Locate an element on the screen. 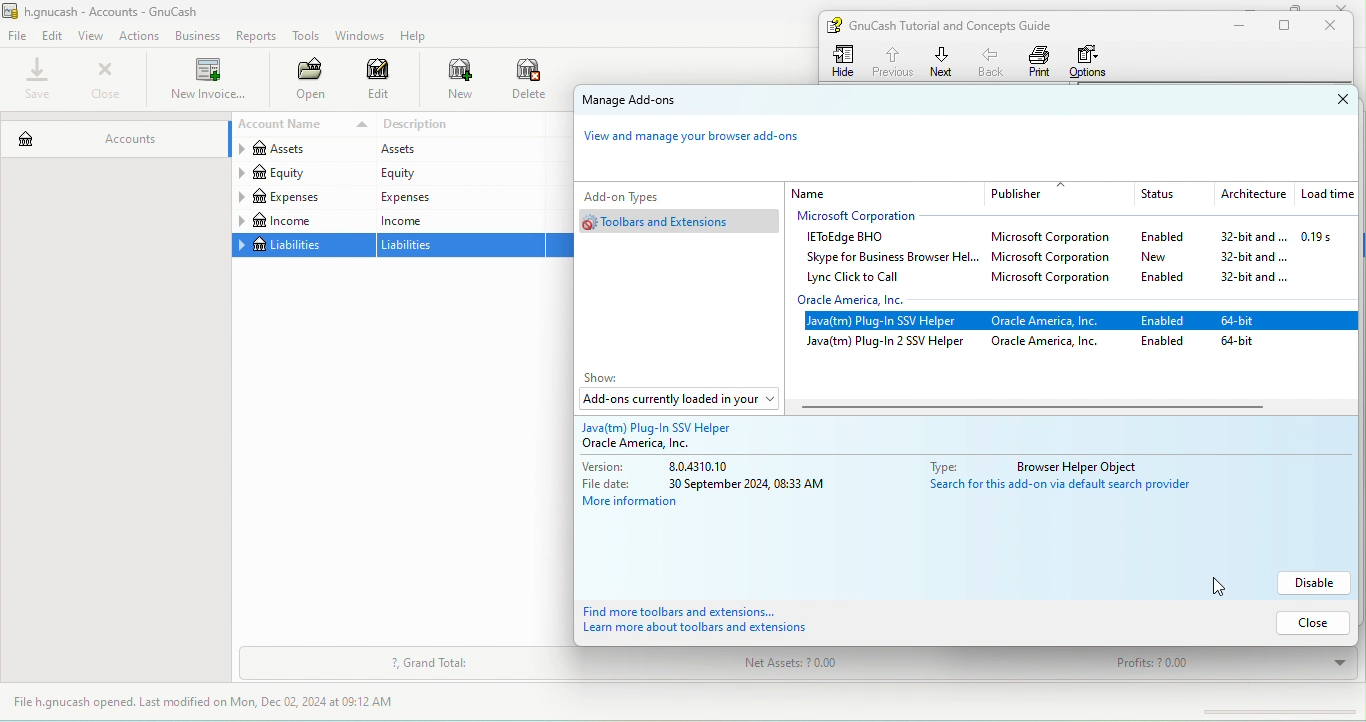 This screenshot has height=722, width=1366. enabled is located at coordinates (1162, 238).